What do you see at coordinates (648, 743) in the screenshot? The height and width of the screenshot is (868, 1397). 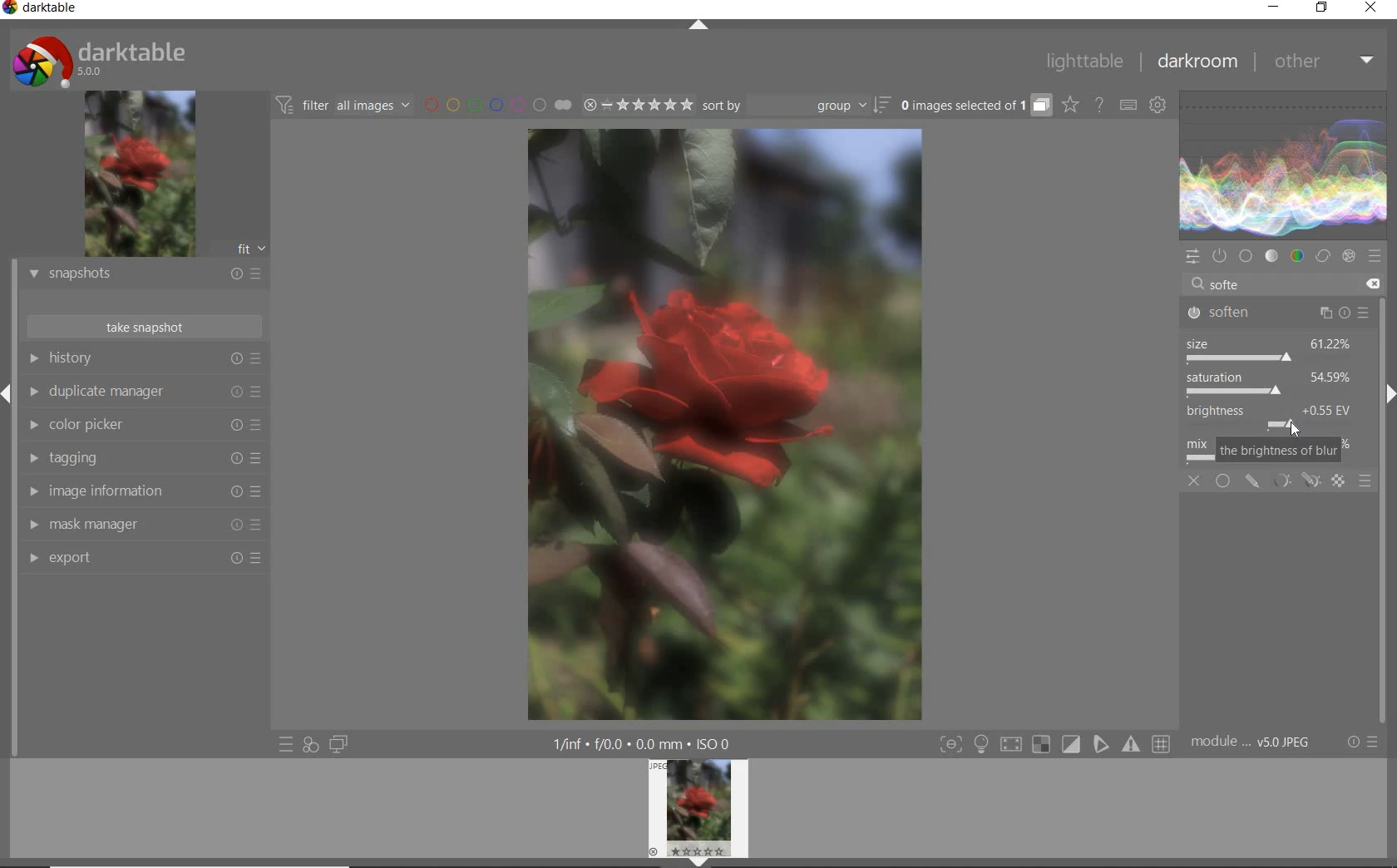 I see `1/inf*f/0.0 mm*ISO 0` at bounding box center [648, 743].